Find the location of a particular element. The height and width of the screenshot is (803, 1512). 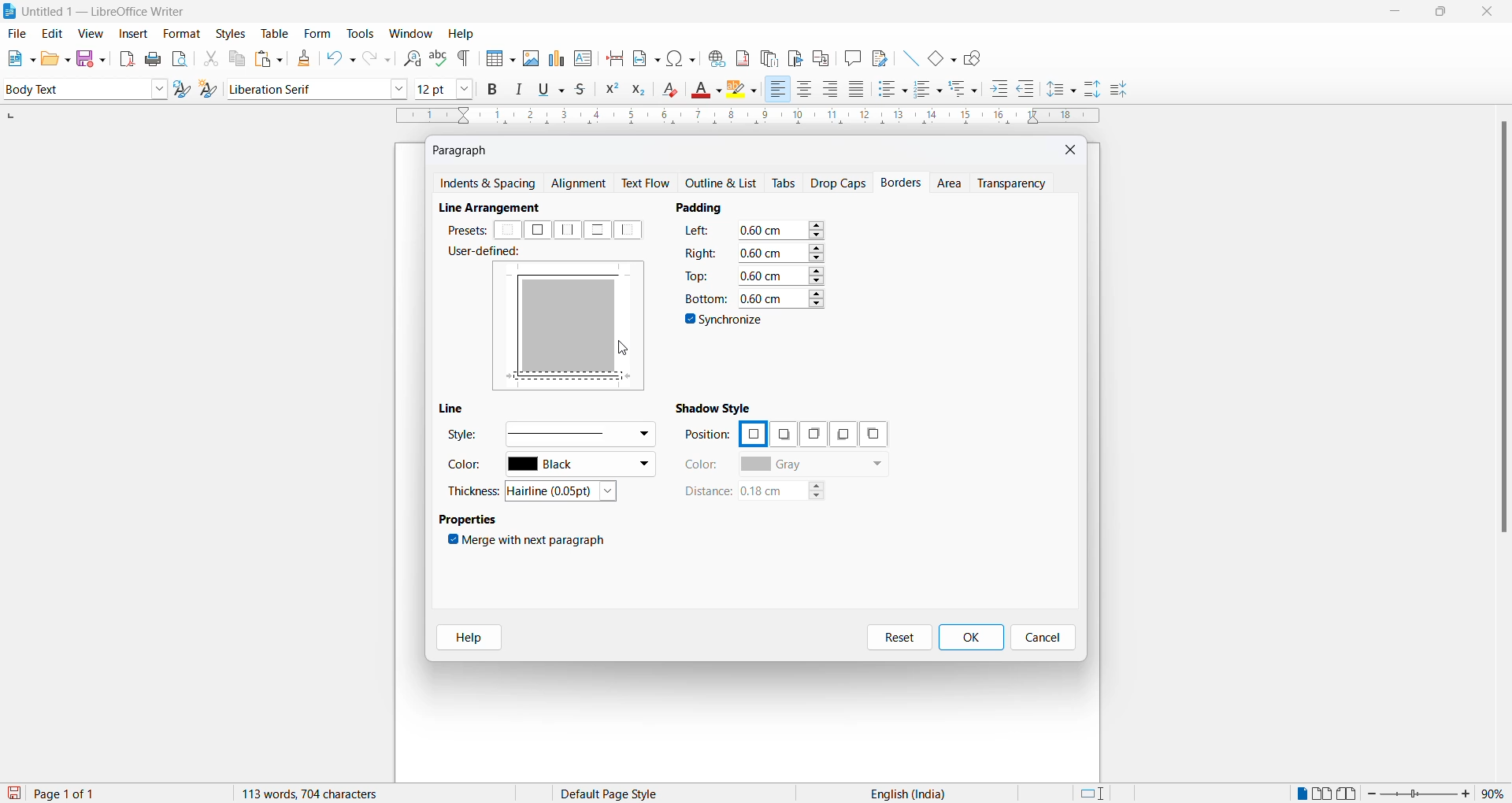

decrease indent is located at coordinates (1031, 90).